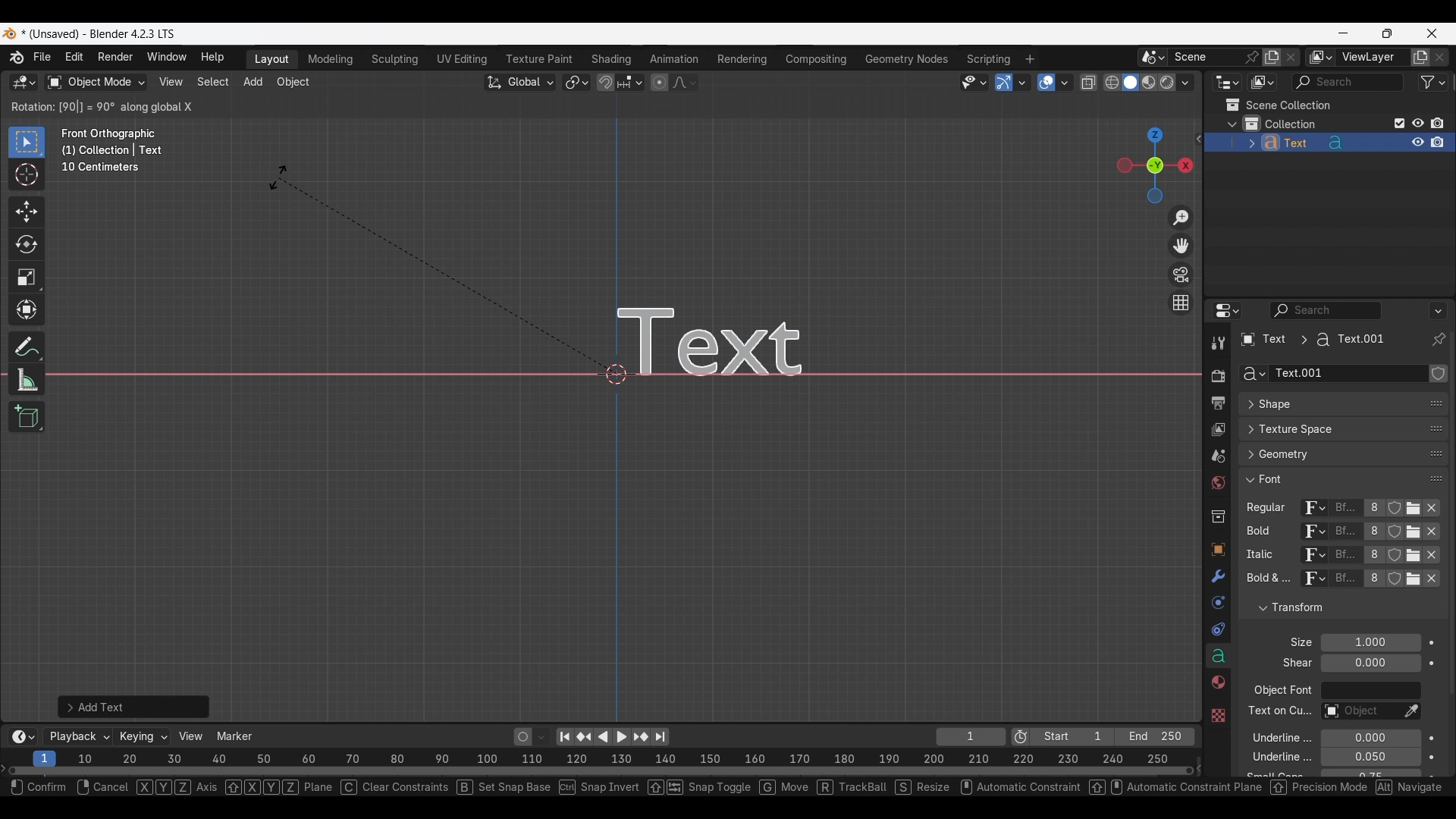 Image resolution: width=1456 pixels, height=819 pixels. What do you see at coordinates (142, 736) in the screenshot?
I see `Keying` at bounding box center [142, 736].